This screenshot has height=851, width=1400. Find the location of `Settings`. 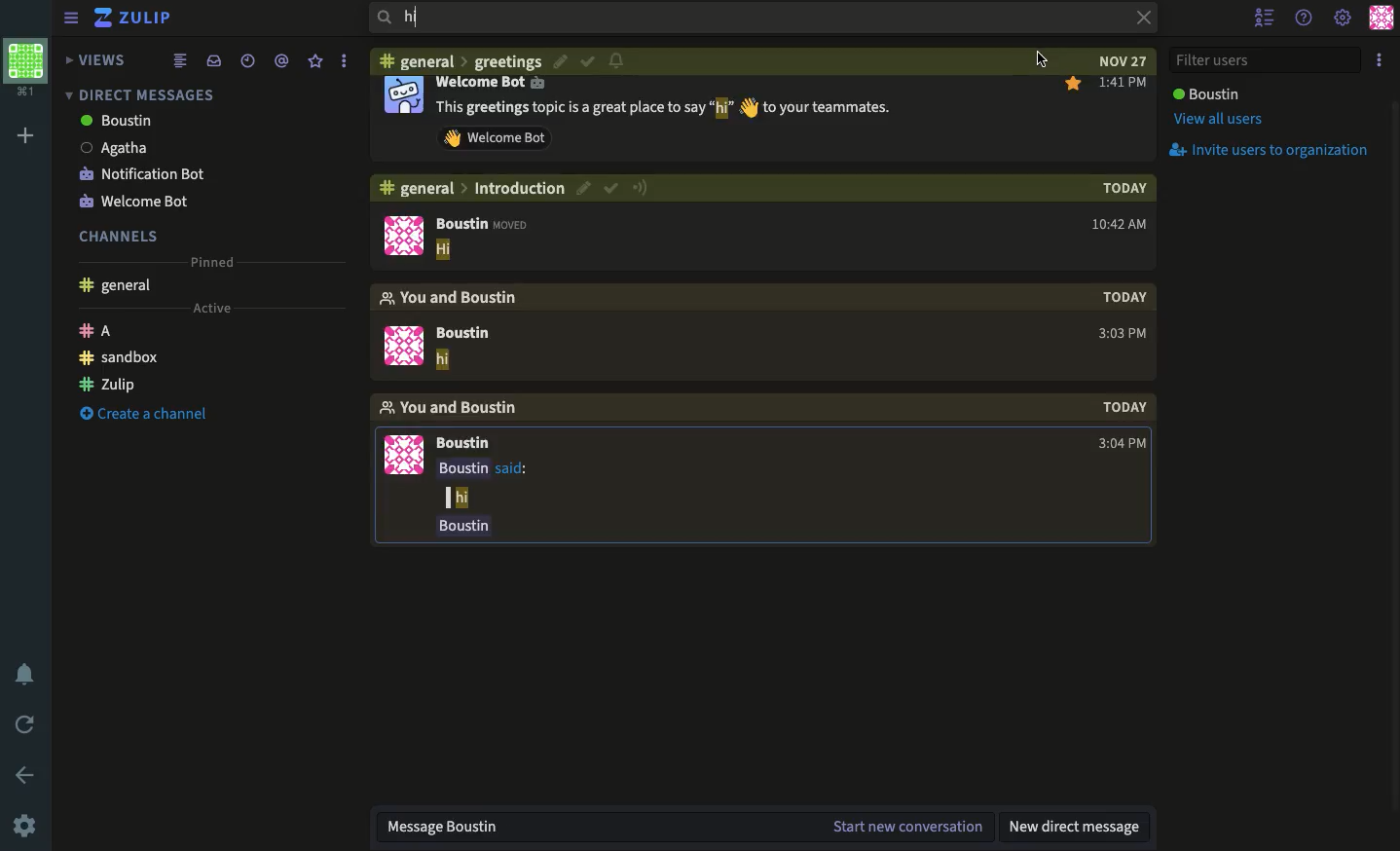

Settings is located at coordinates (26, 824).